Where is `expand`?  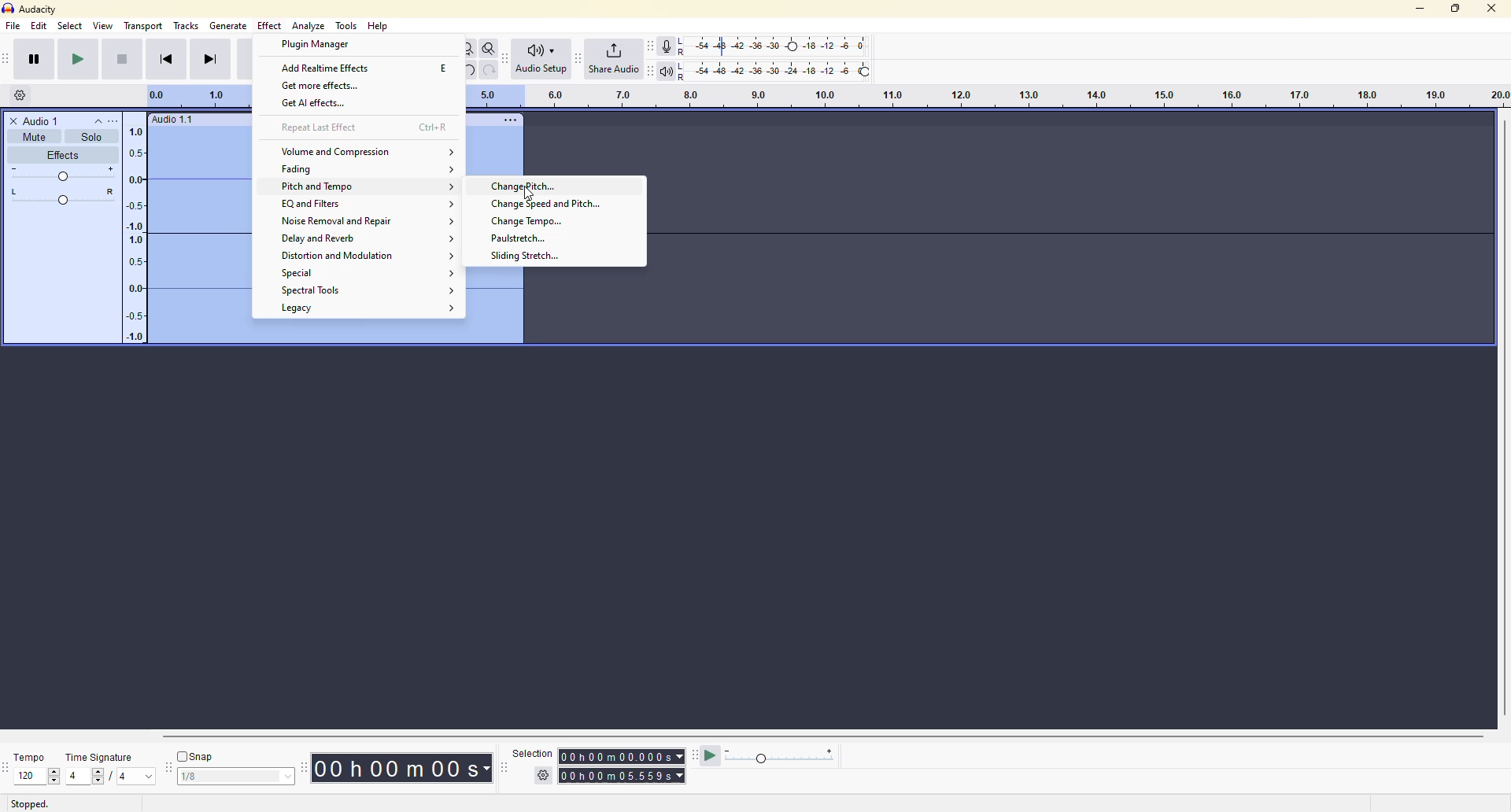 expand is located at coordinates (453, 221).